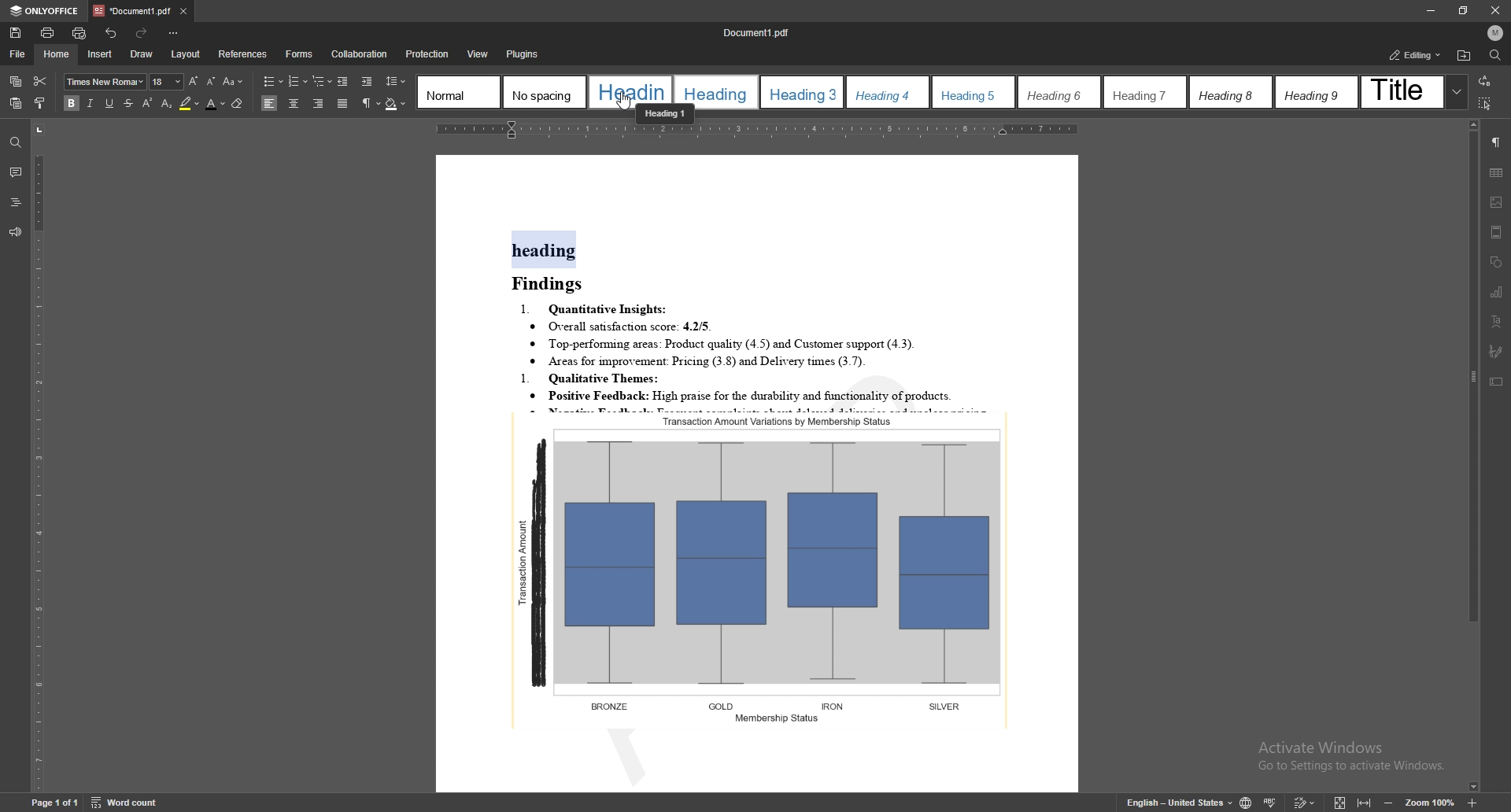  I want to click on paste, so click(16, 103).